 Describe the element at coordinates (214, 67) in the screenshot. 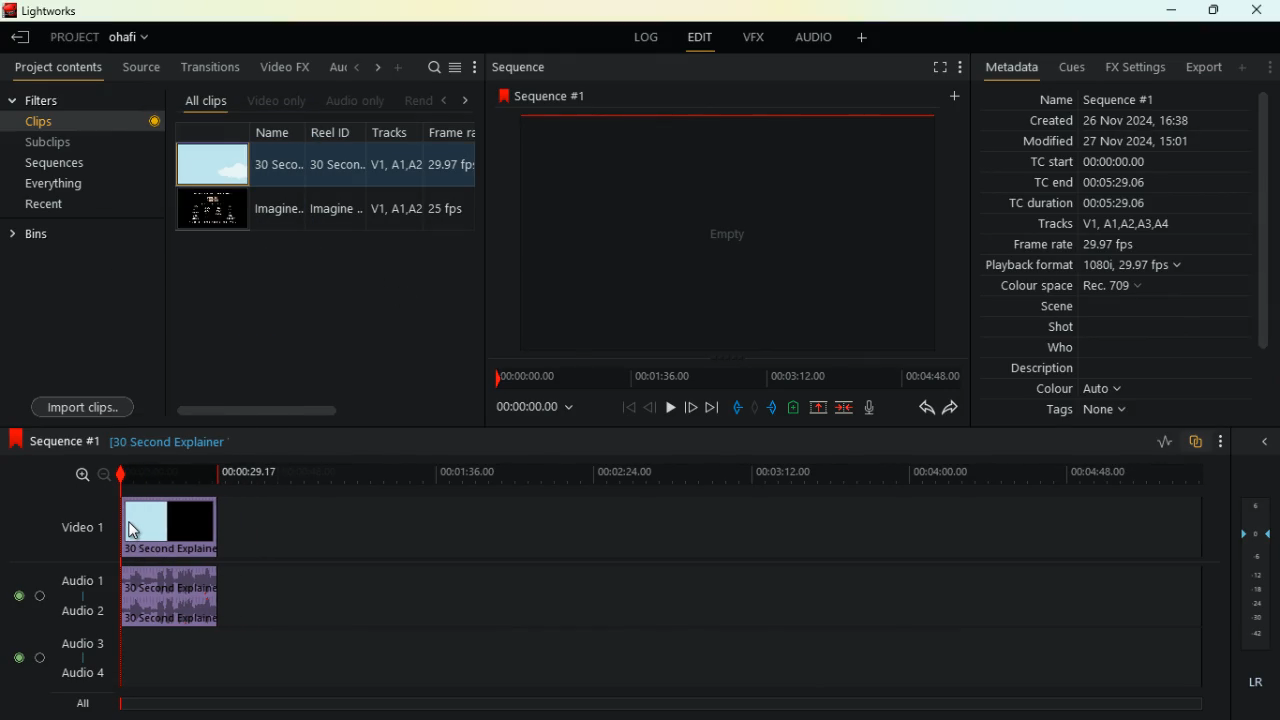

I see `transitions` at that location.